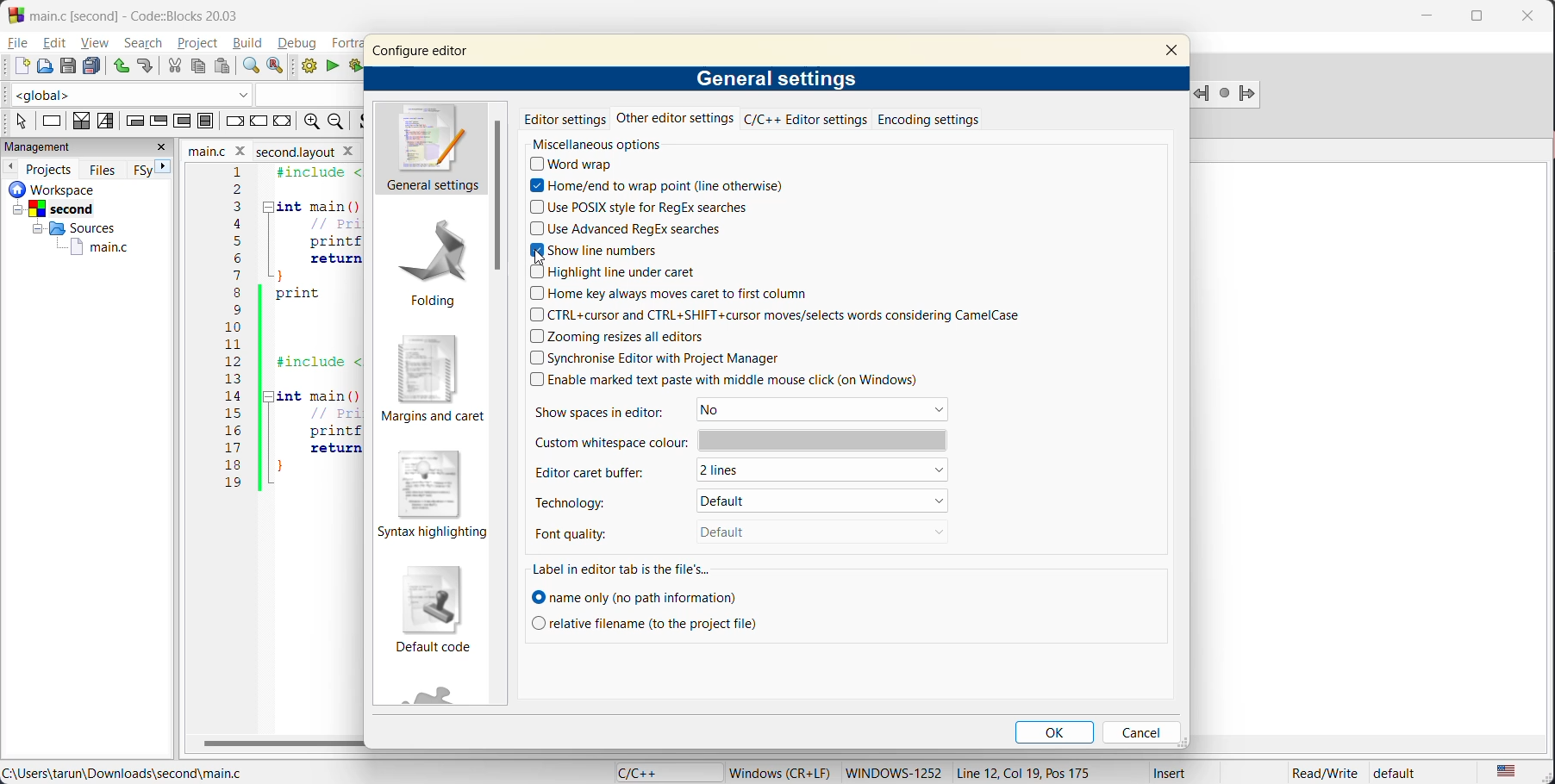  What do you see at coordinates (1531, 20) in the screenshot?
I see `close` at bounding box center [1531, 20].